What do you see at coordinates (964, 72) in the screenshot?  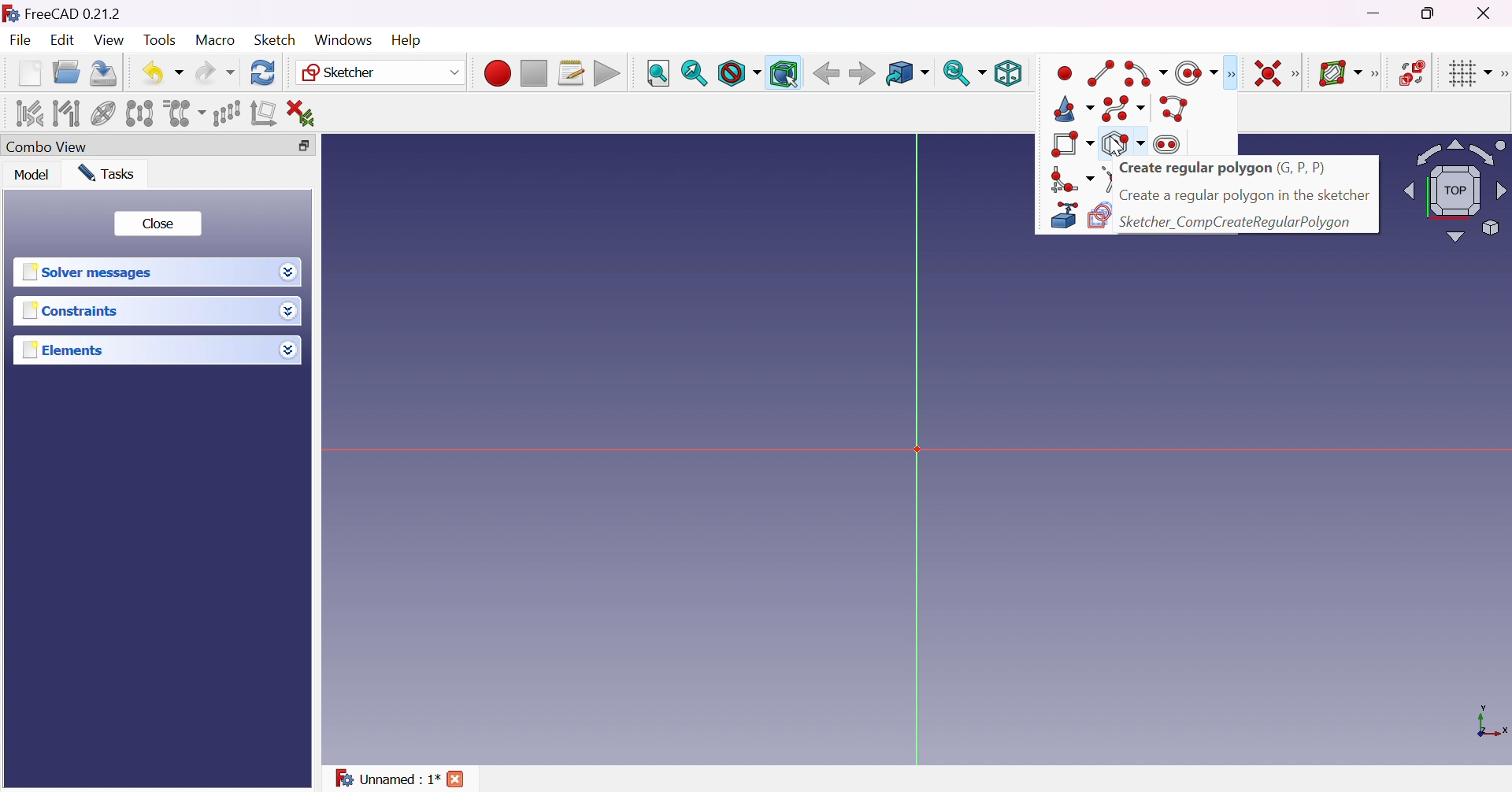 I see `Sync` at bounding box center [964, 72].